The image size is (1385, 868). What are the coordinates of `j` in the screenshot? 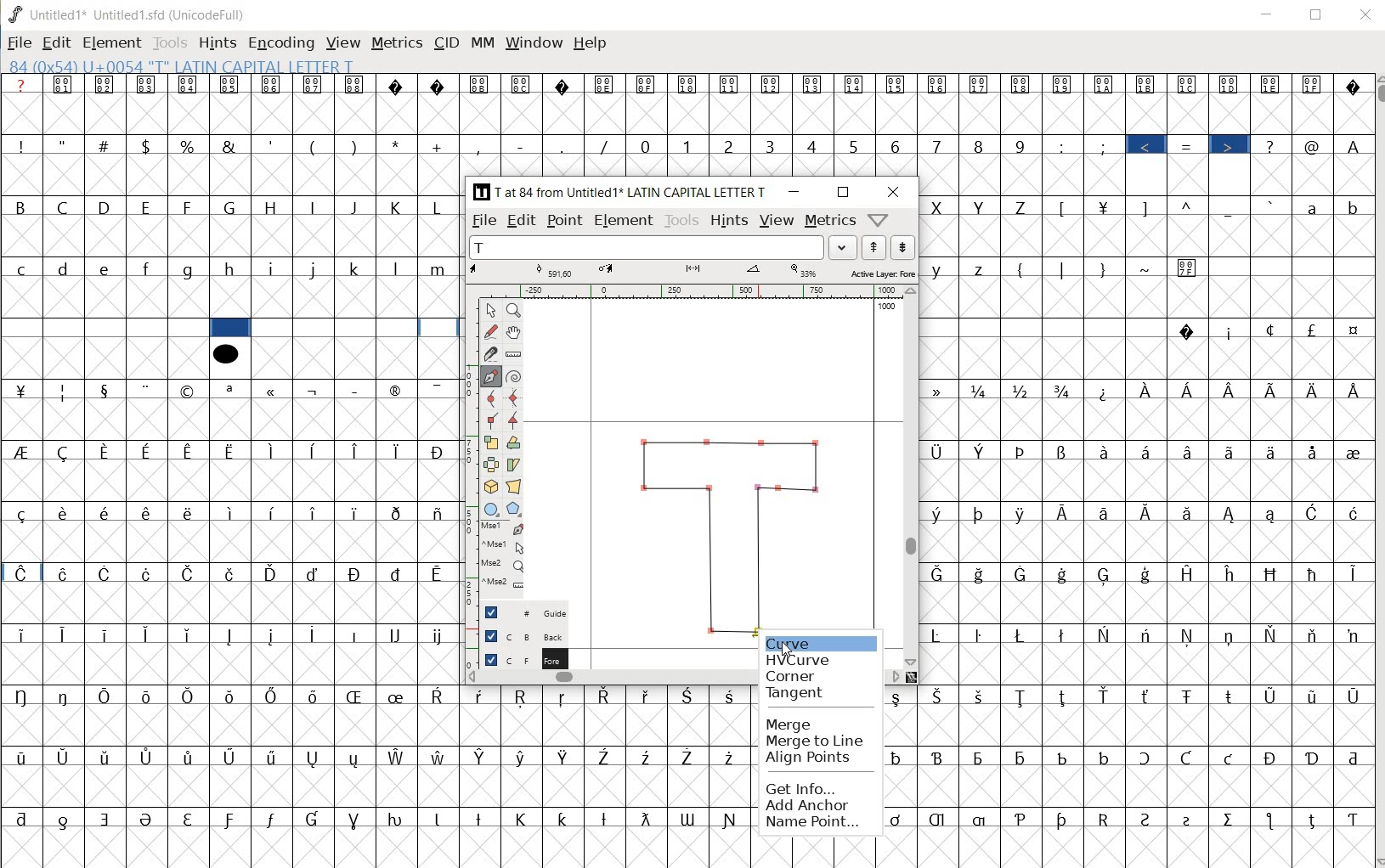 It's located at (315, 268).